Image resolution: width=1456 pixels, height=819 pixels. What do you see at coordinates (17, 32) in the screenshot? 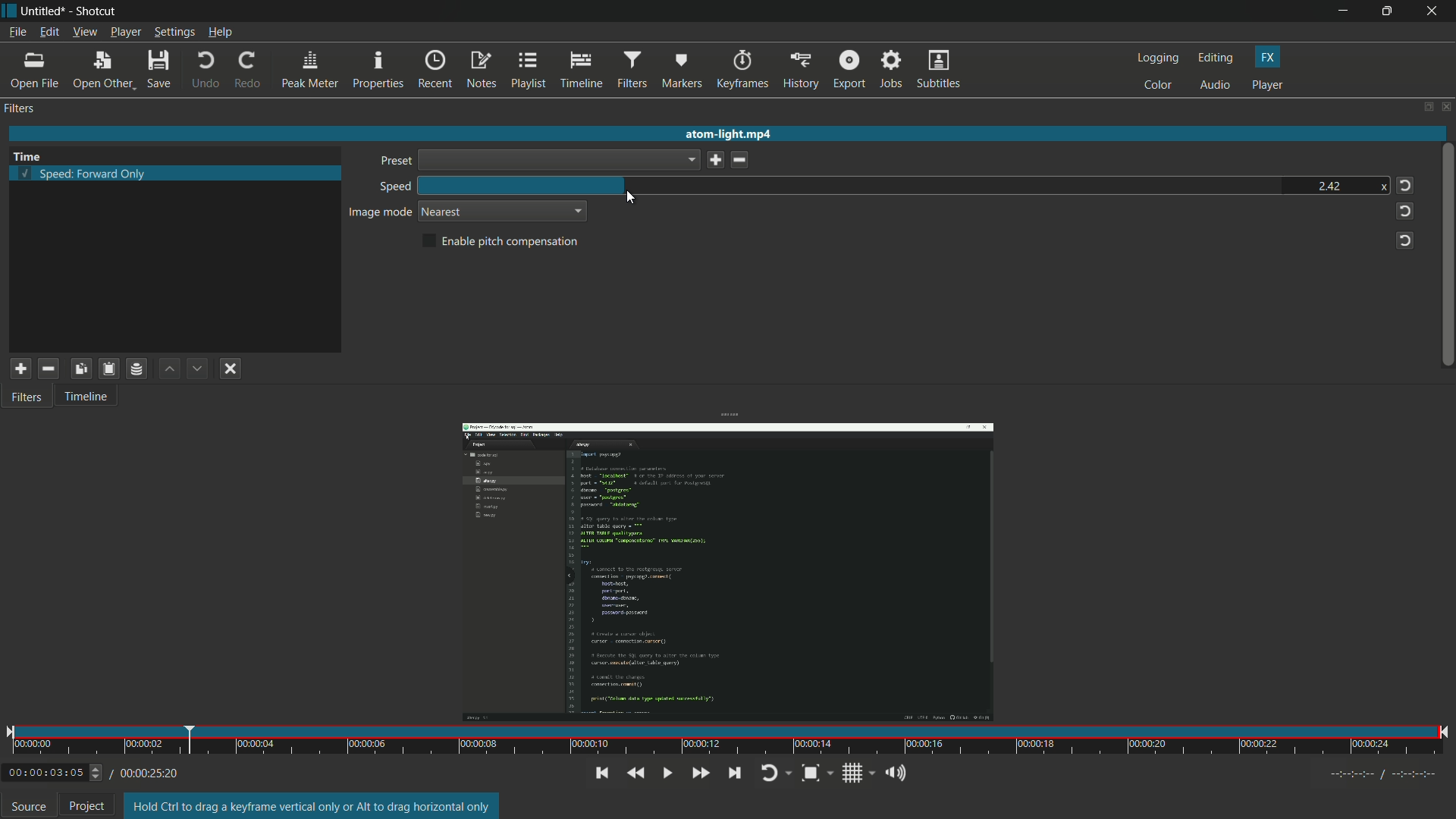
I see `file menu` at bounding box center [17, 32].